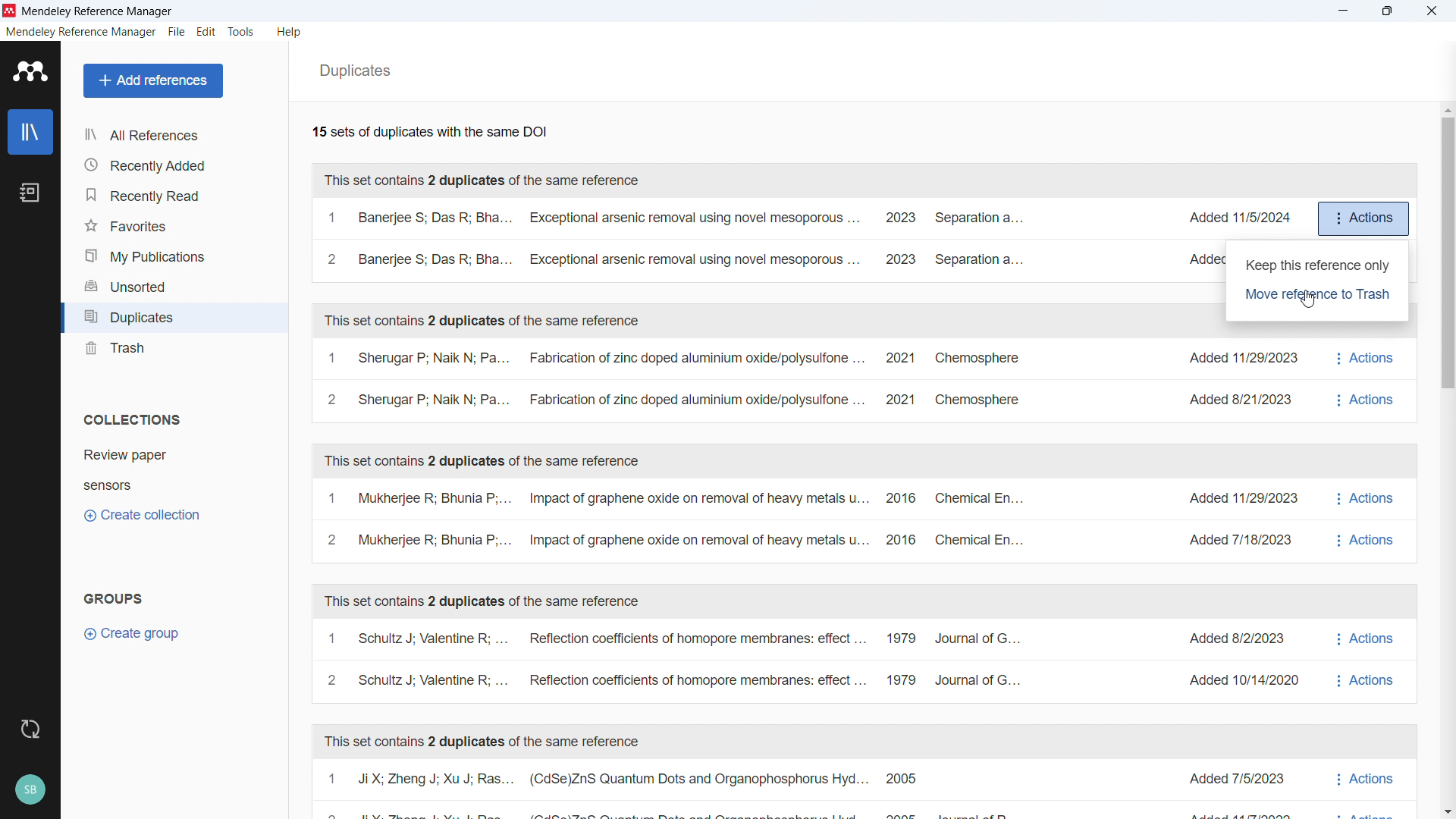  I want to click on actions , so click(1365, 660).